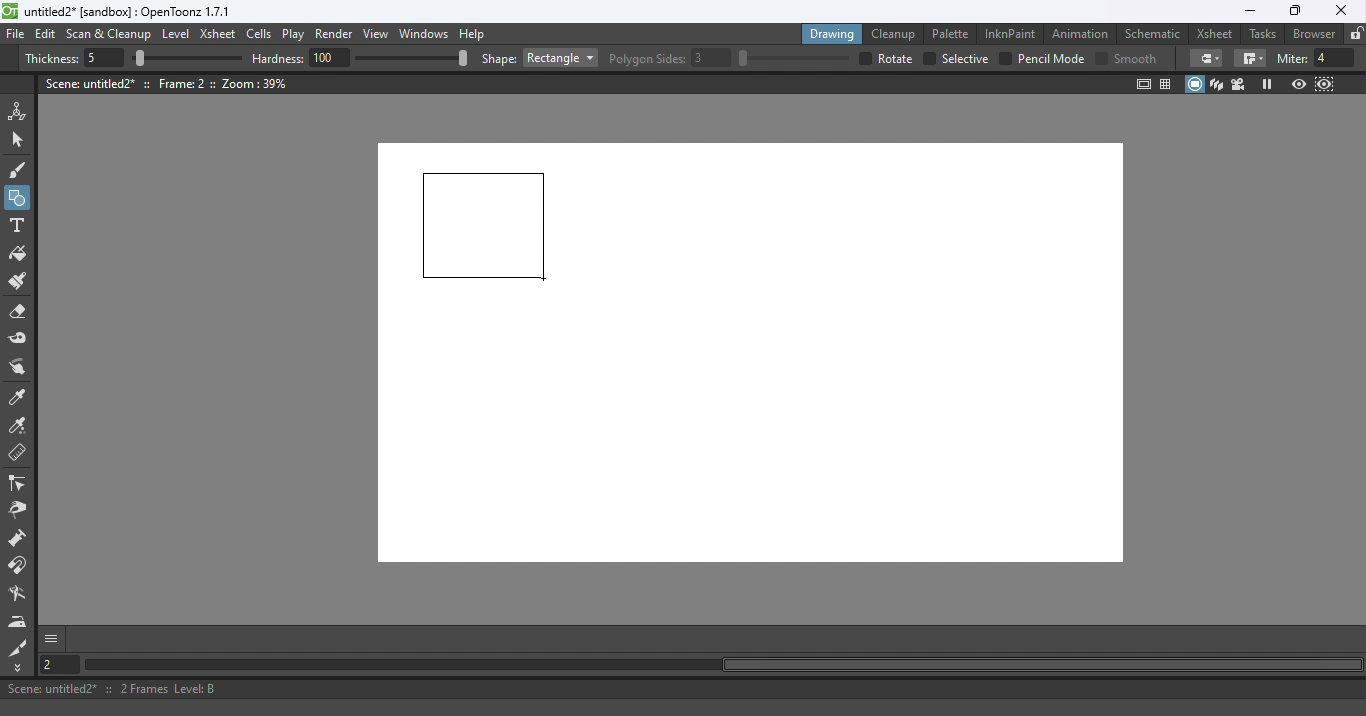 The image size is (1366, 716). I want to click on More Tools, so click(19, 668).